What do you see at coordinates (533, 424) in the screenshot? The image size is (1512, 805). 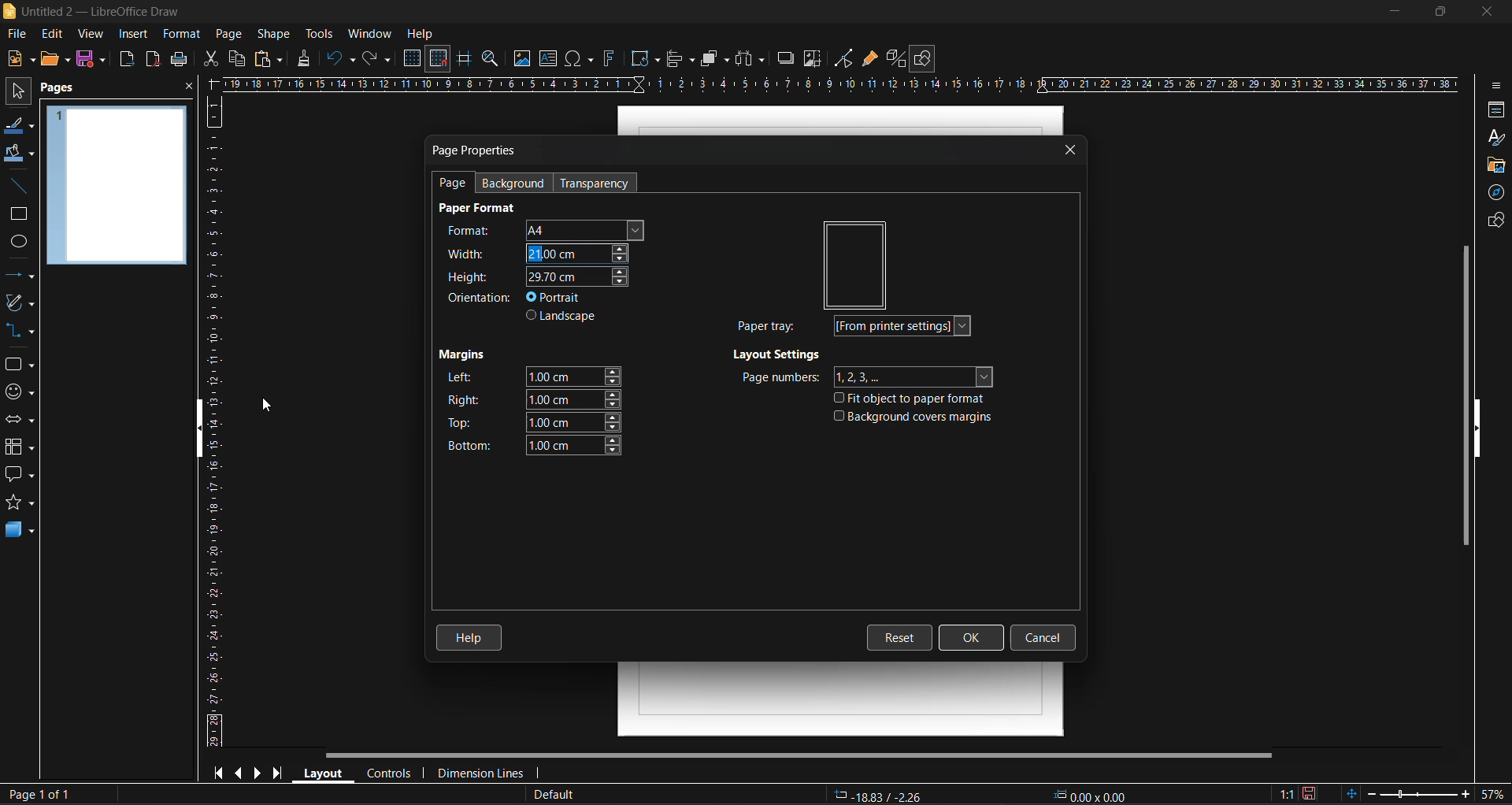 I see `top` at bounding box center [533, 424].